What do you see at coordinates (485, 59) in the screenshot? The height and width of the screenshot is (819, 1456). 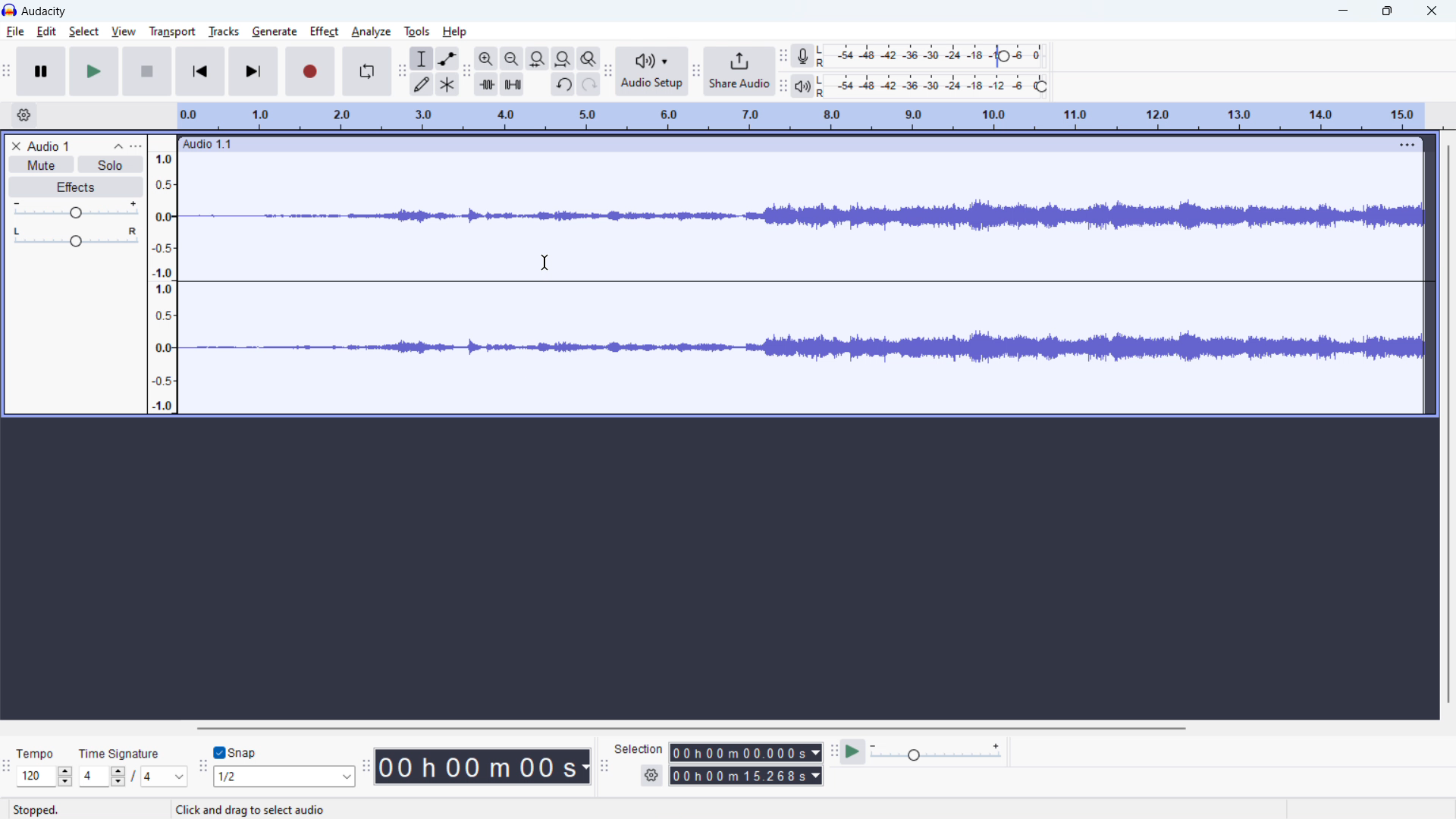 I see `zoom in` at bounding box center [485, 59].